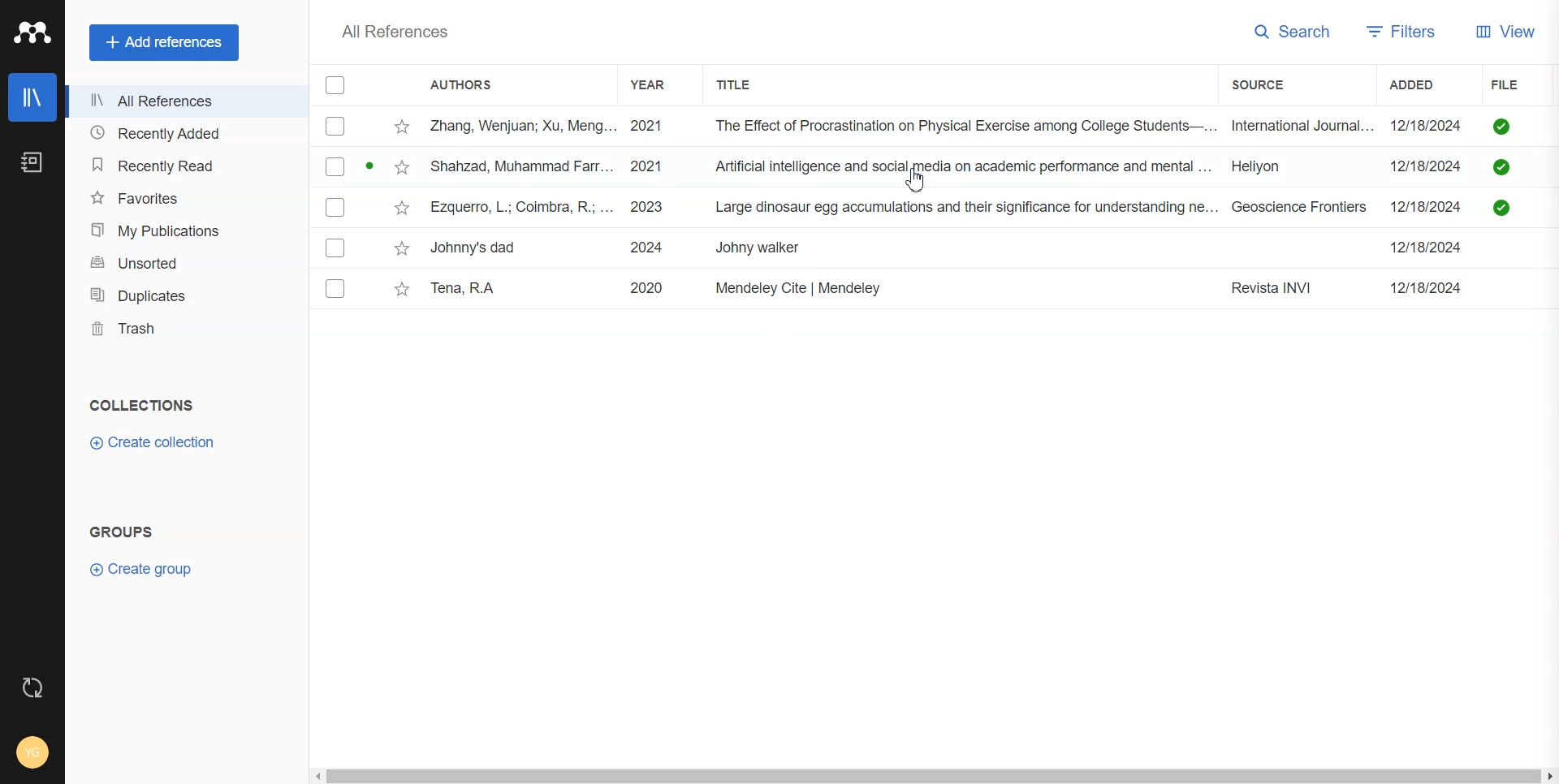  What do you see at coordinates (184, 134) in the screenshot?
I see `Recently Added` at bounding box center [184, 134].